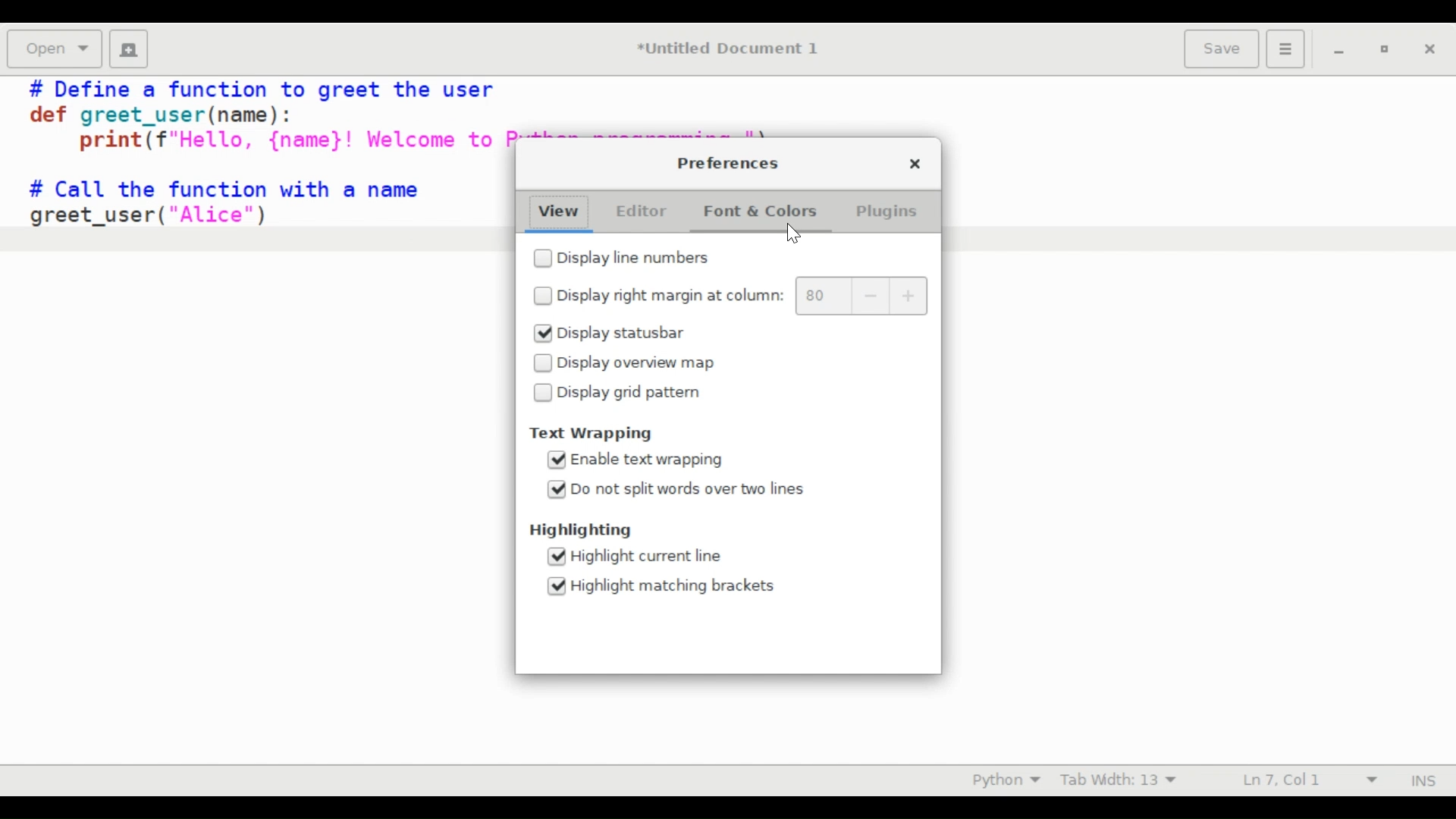 The width and height of the screenshot is (1456, 819). I want to click on (un)check Display Statusbar, so click(610, 333).